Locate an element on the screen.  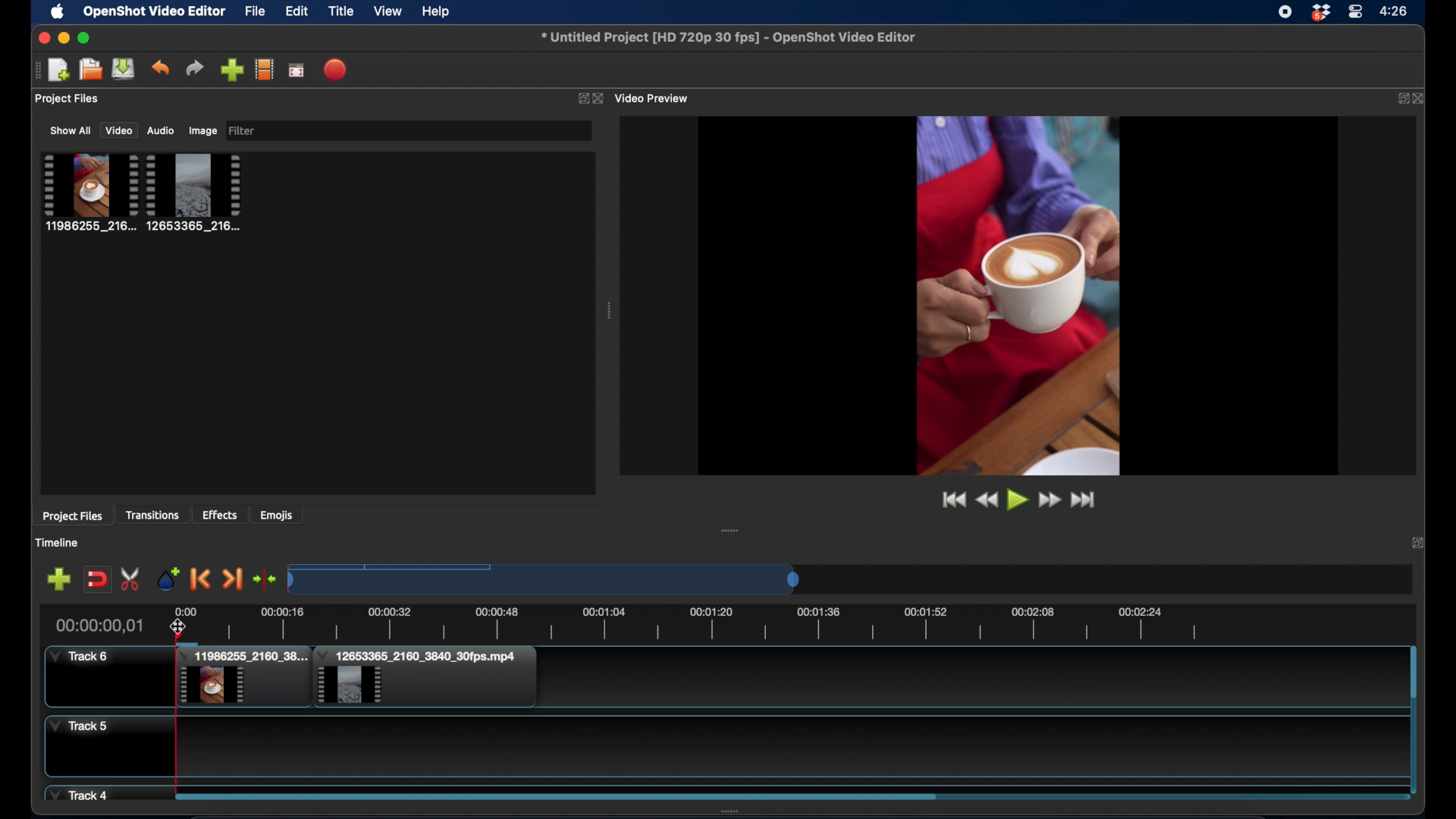
audio is located at coordinates (162, 130).